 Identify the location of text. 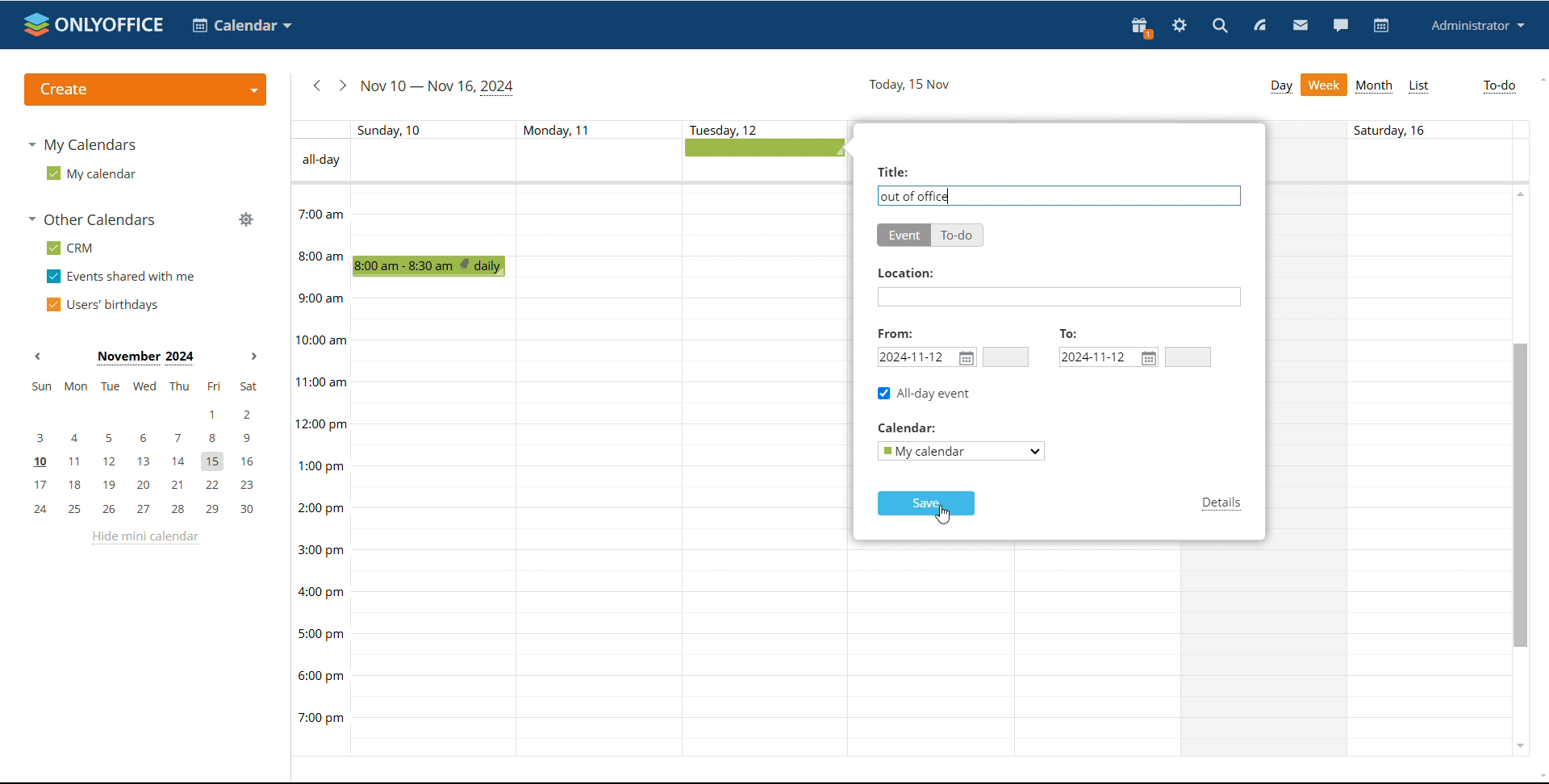
(320, 161).